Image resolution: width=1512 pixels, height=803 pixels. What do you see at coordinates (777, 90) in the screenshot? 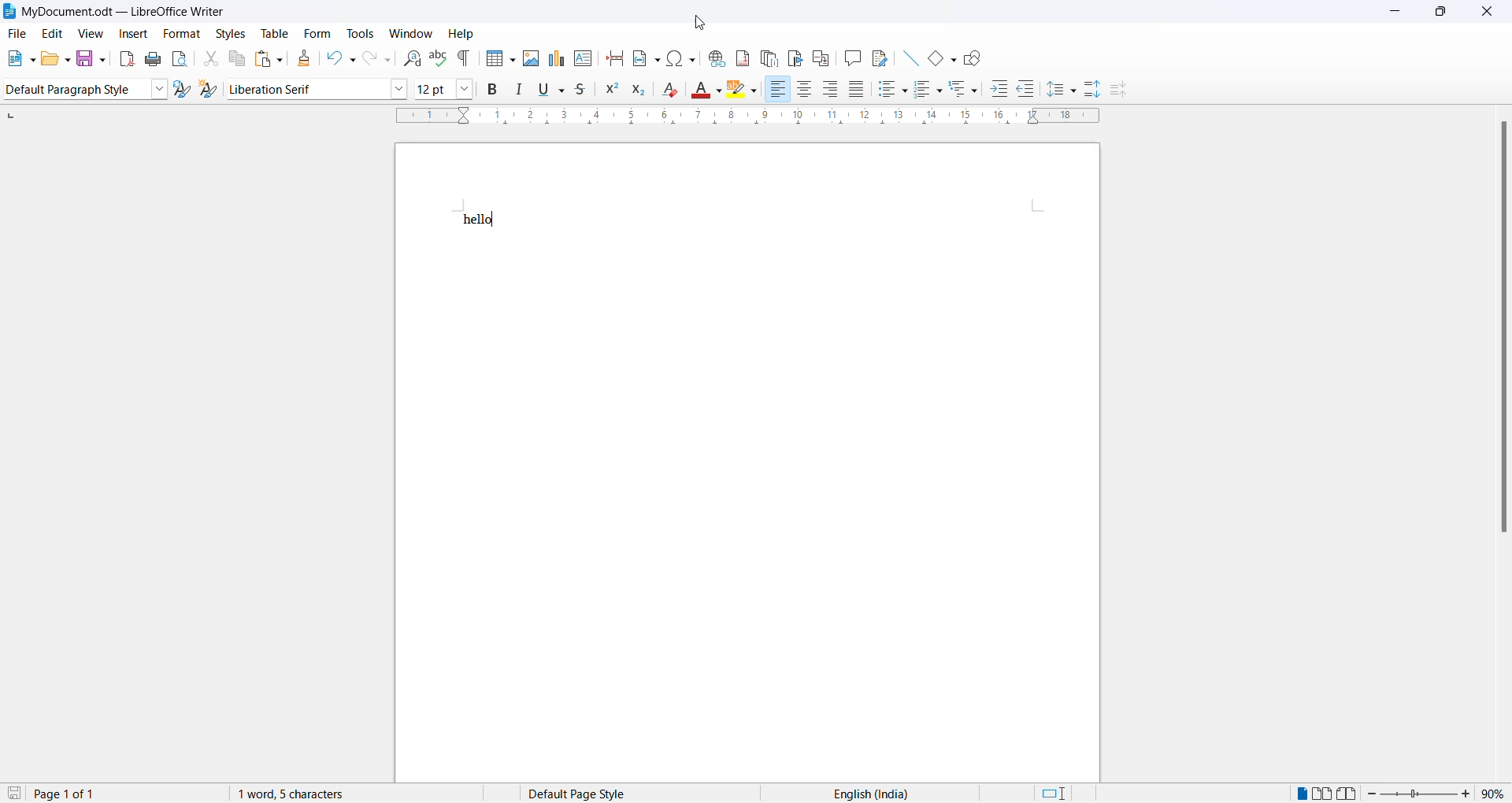
I see `Align Left` at bounding box center [777, 90].